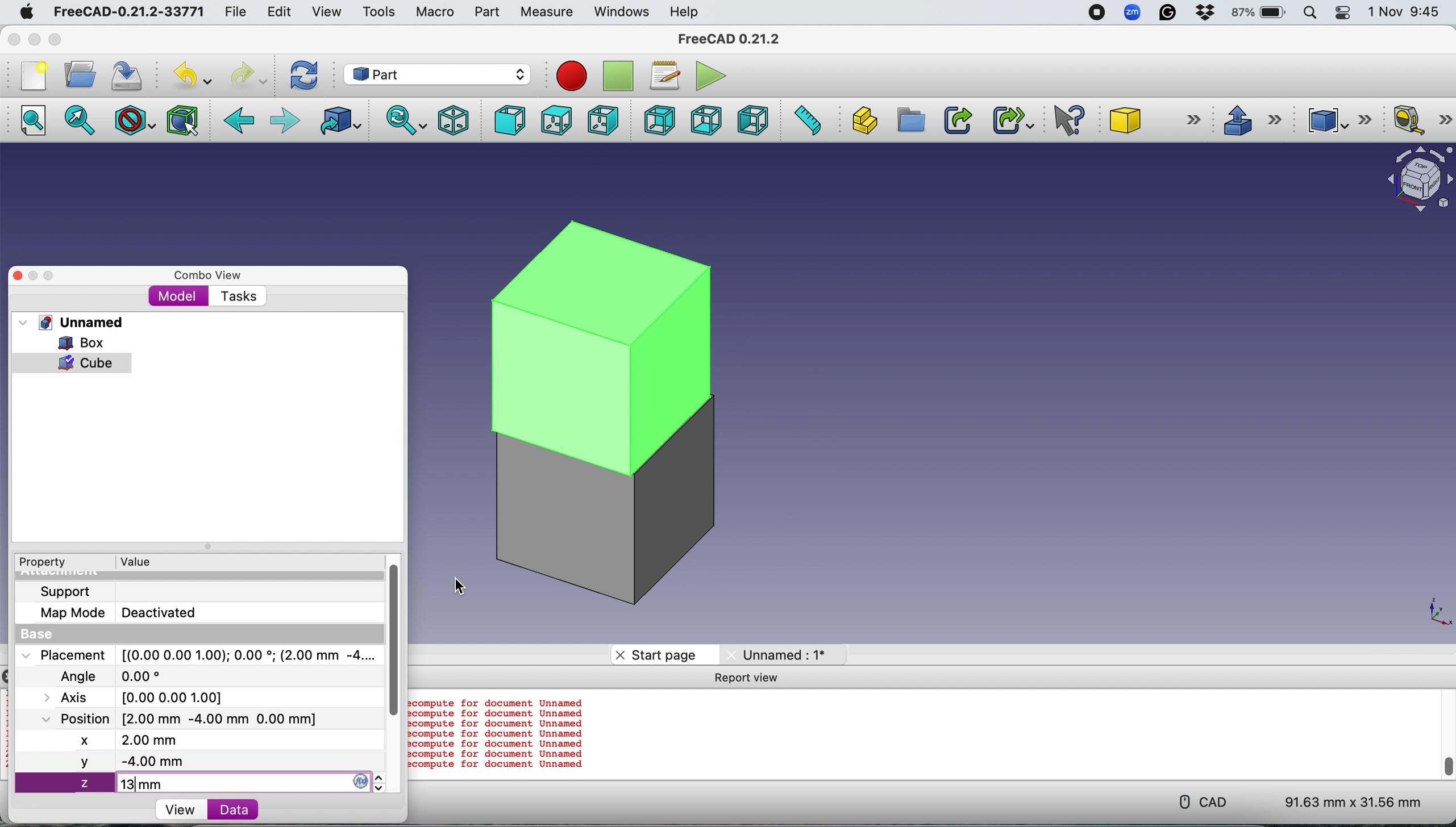 Image resolution: width=1456 pixels, height=827 pixels. Describe the element at coordinates (620, 76) in the screenshot. I see `Stop recording macros` at that location.